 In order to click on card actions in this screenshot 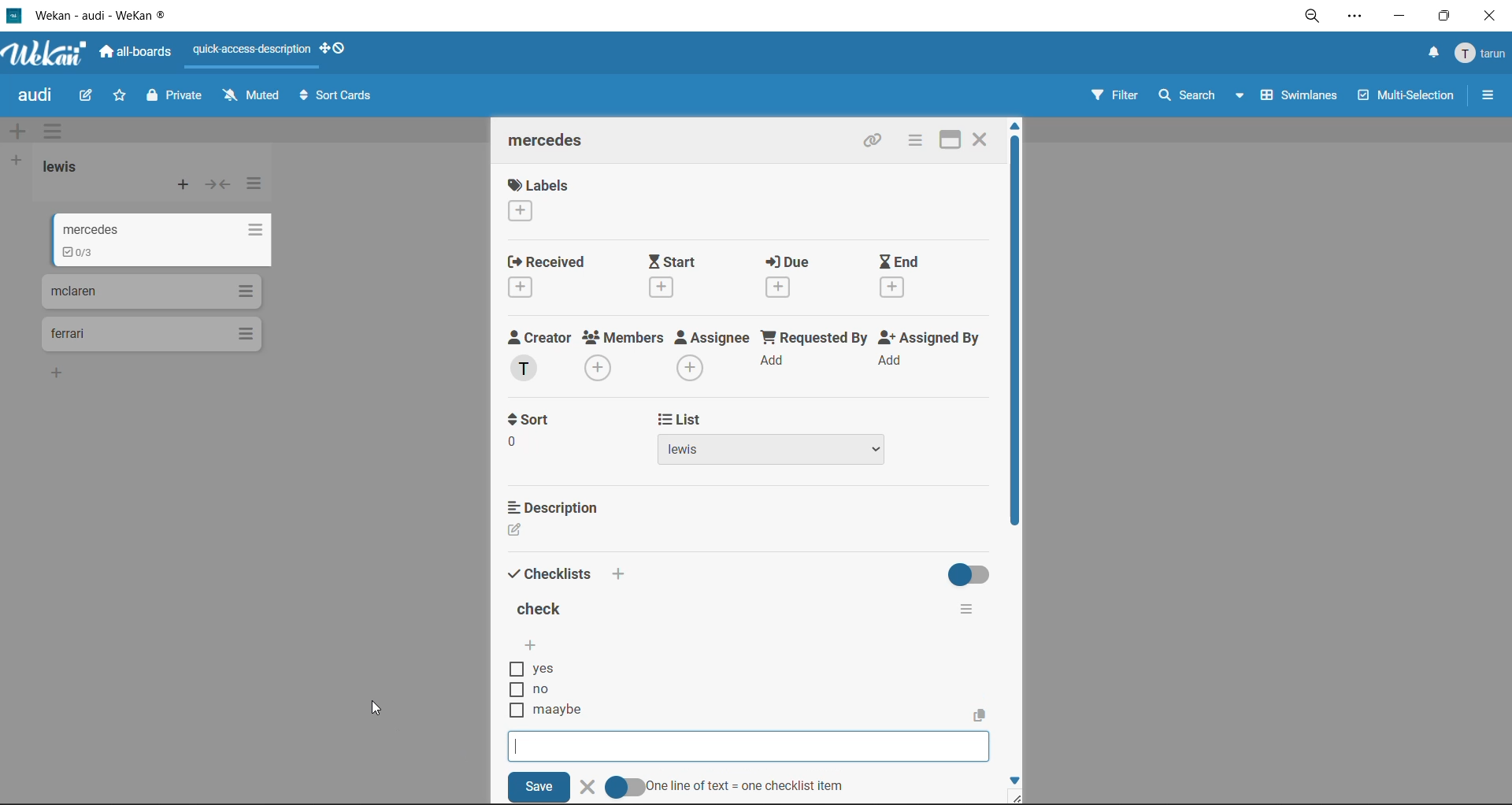, I will do `click(910, 141)`.